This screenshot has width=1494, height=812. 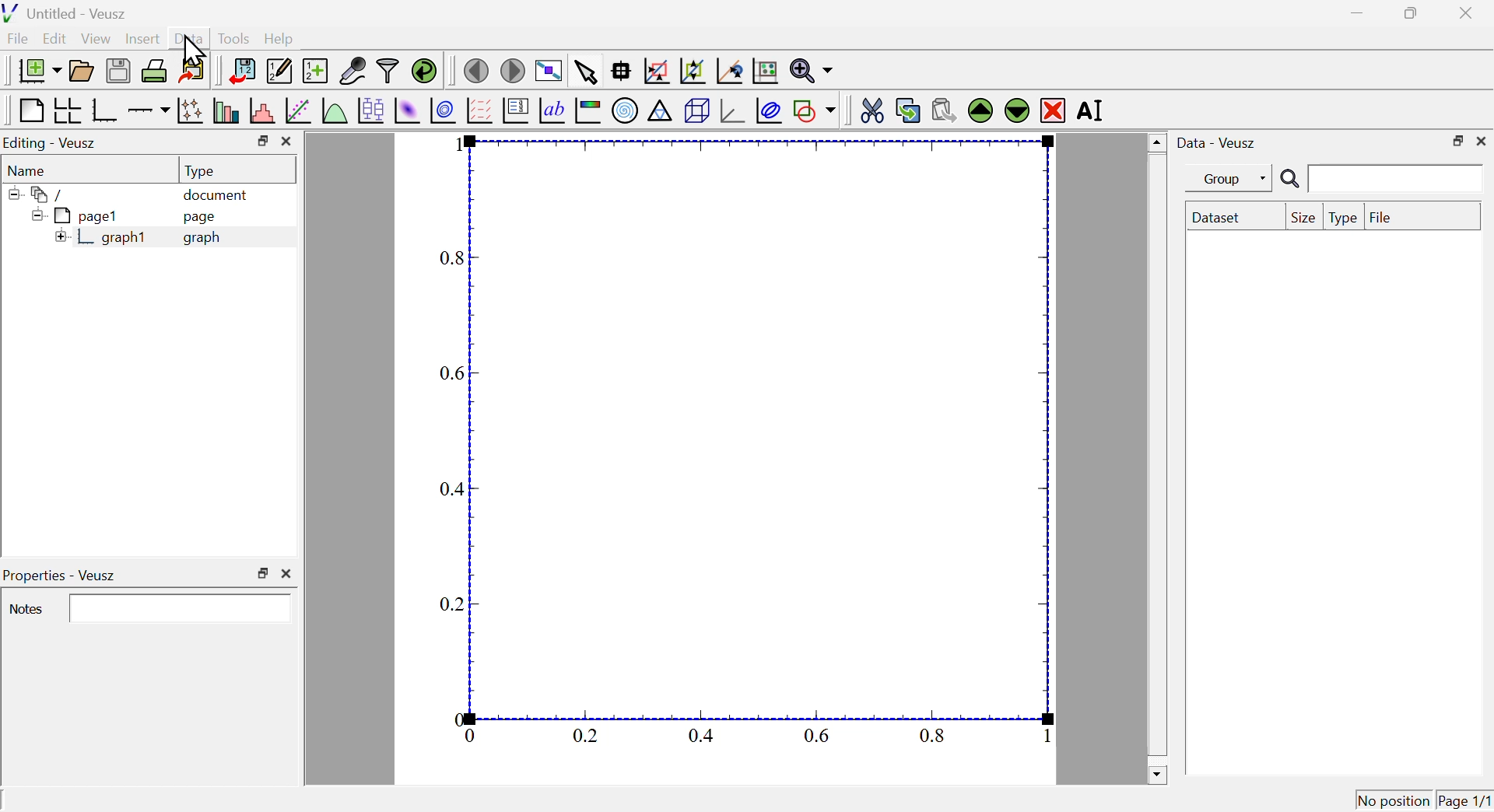 I want to click on zoom out of graph axes, so click(x=693, y=71).